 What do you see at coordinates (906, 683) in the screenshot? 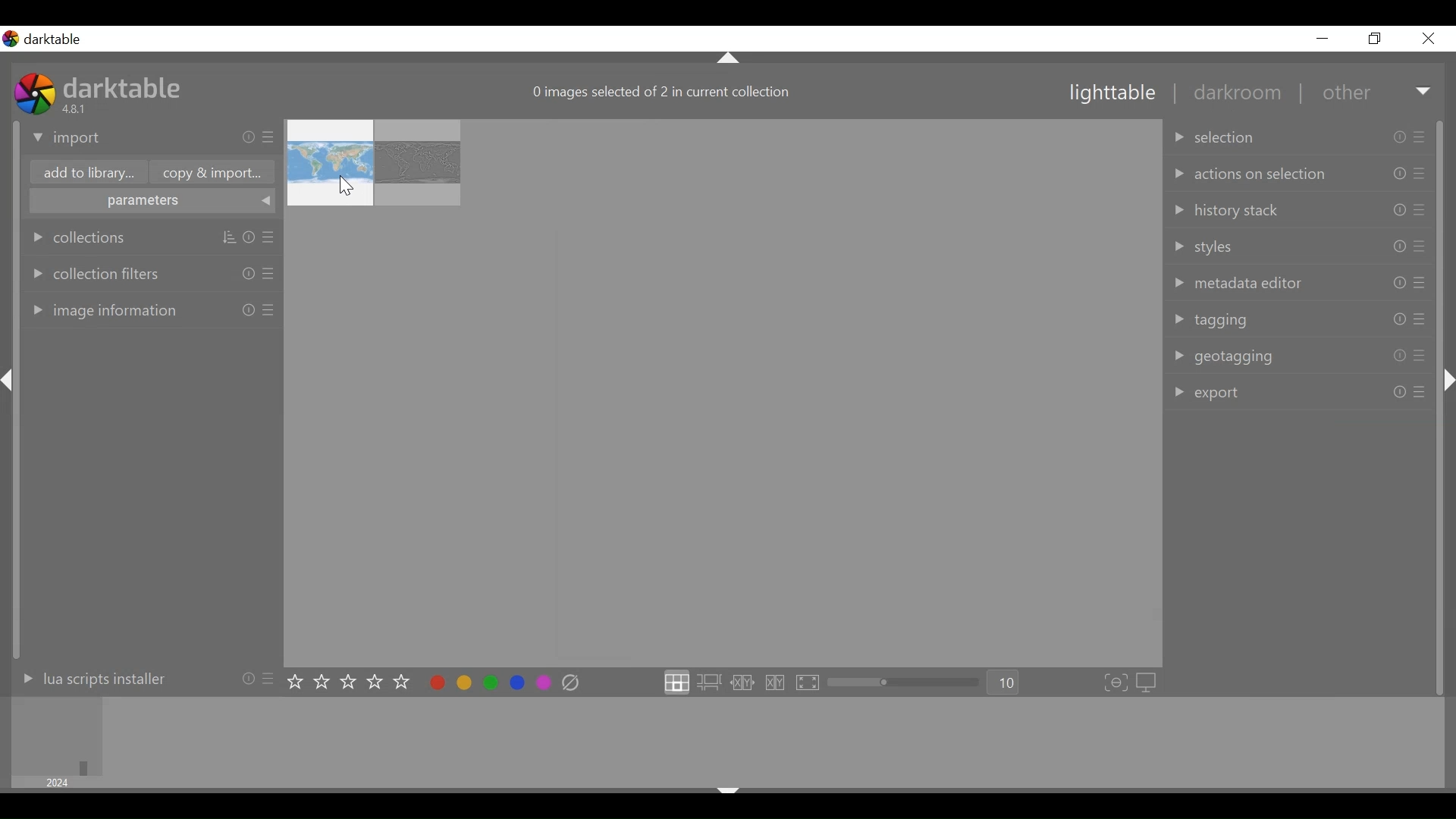
I see `Zoom Slider` at bounding box center [906, 683].